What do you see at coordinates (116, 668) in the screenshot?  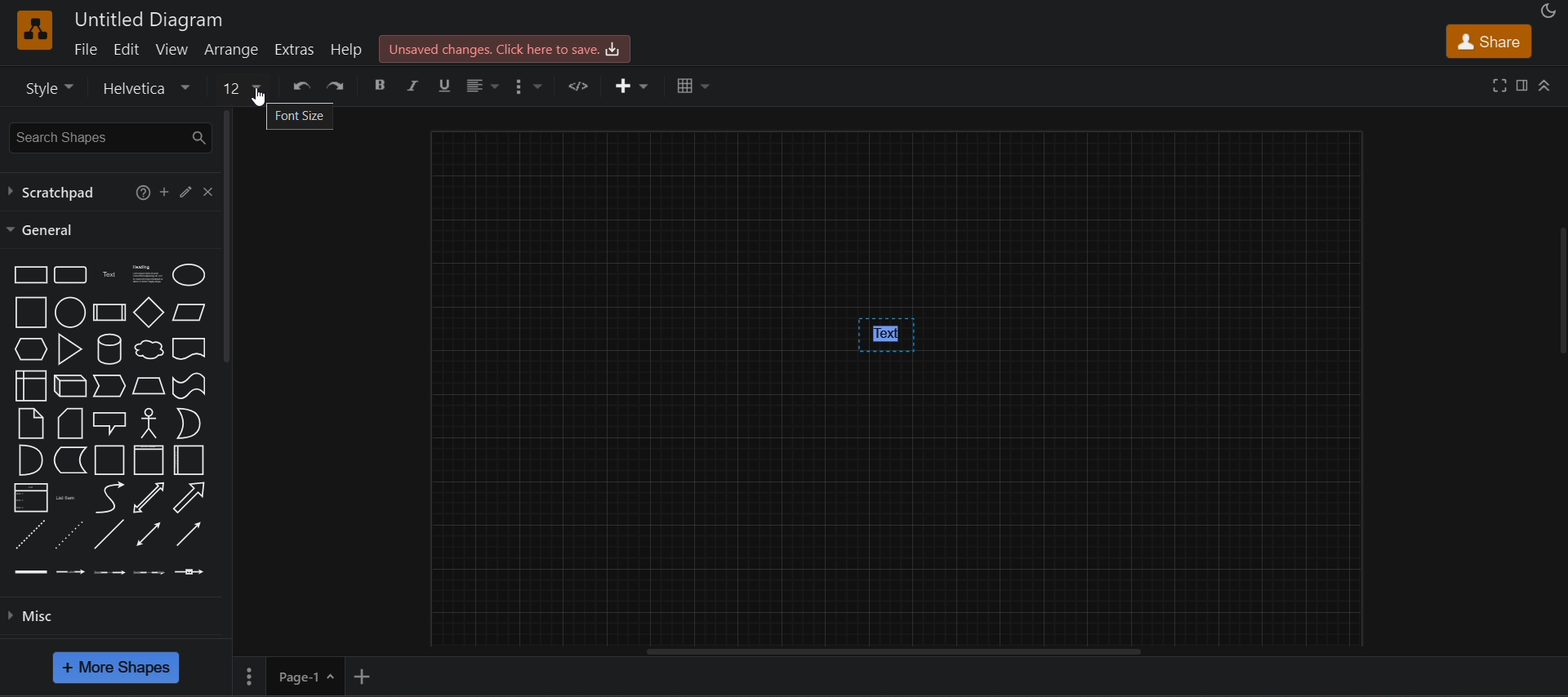 I see `more shapes` at bounding box center [116, 668].